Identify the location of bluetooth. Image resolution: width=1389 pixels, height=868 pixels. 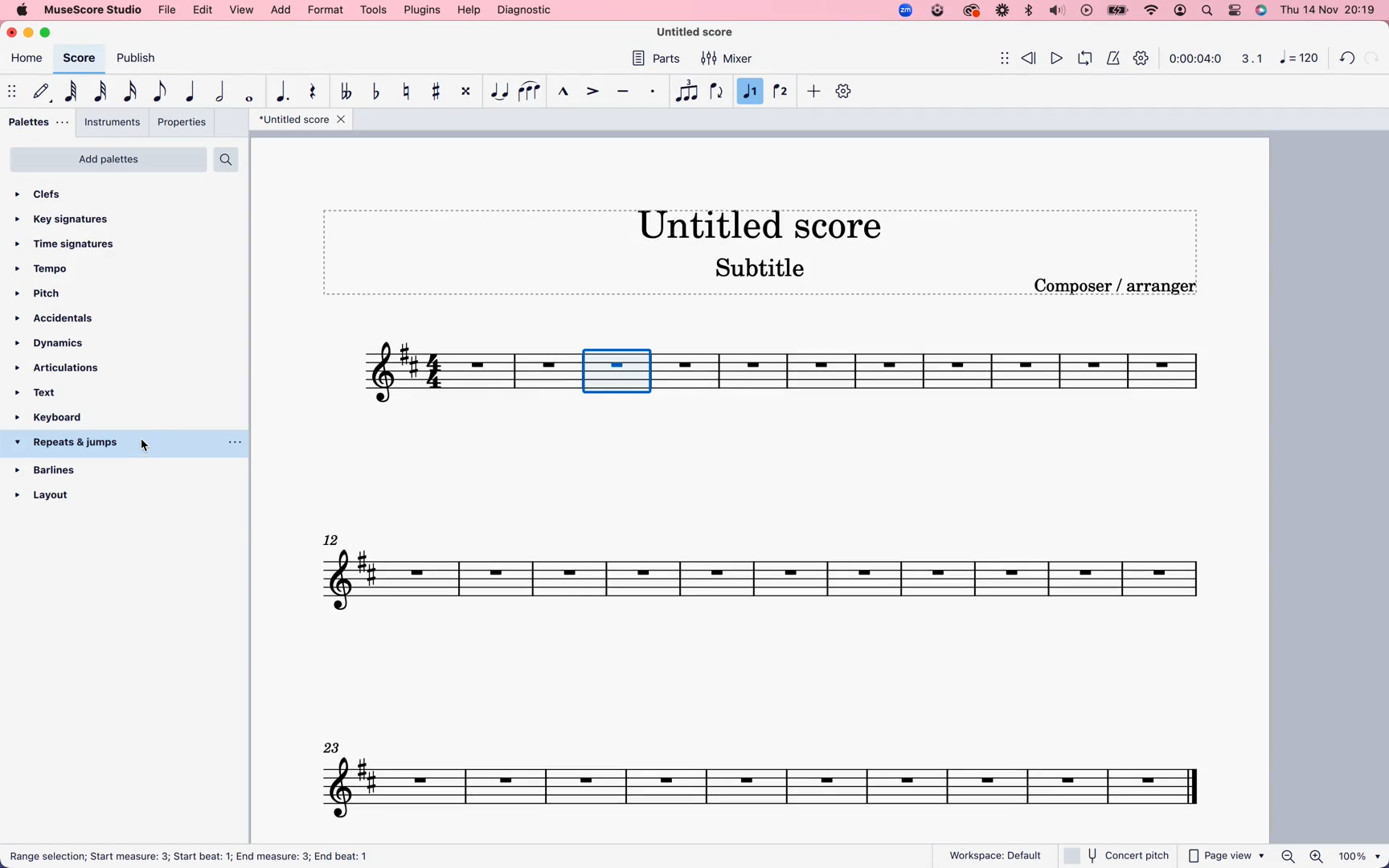
(1027, 11).